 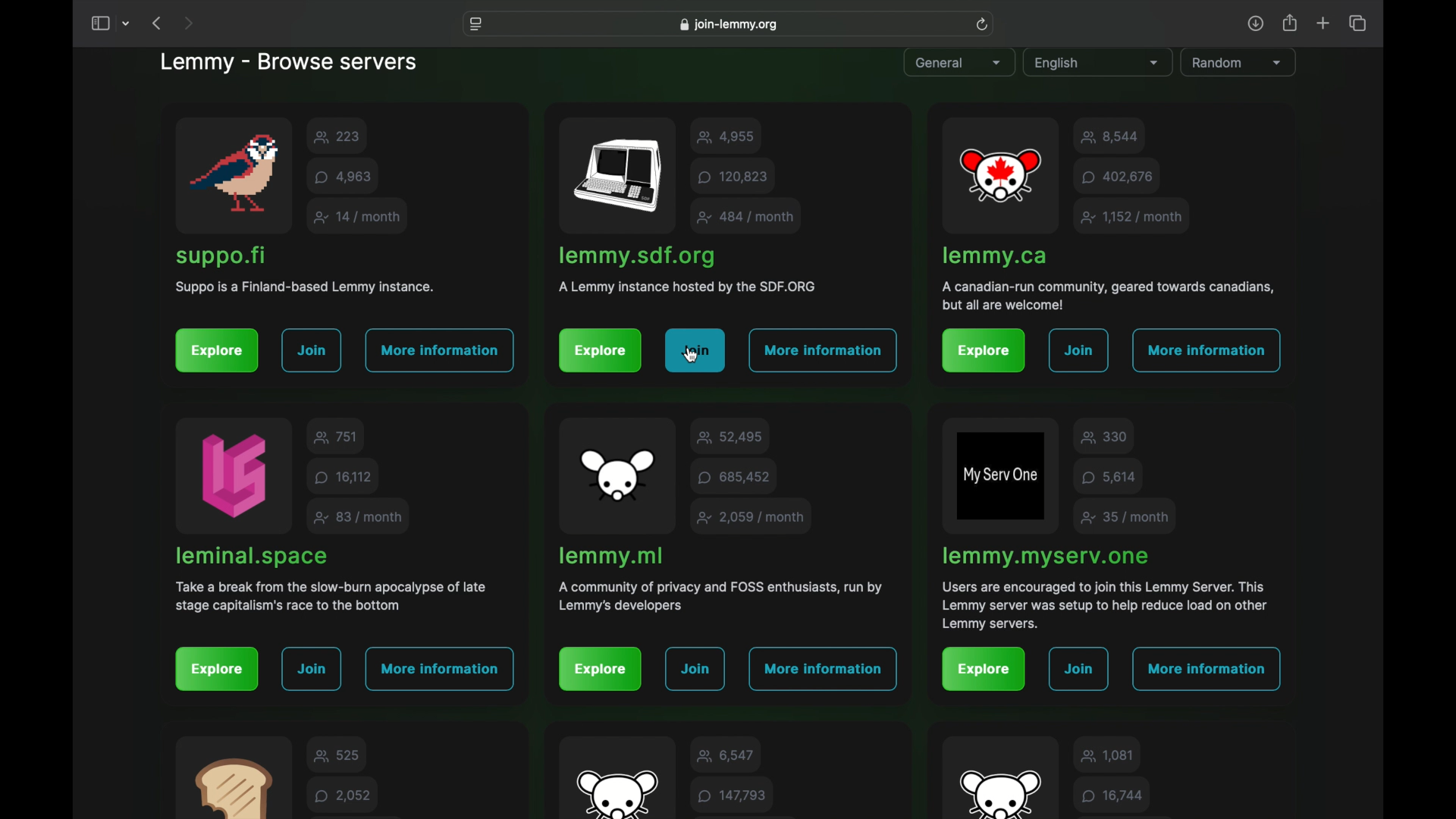 I want to click on lemmy server, so click(x=636, y=257).